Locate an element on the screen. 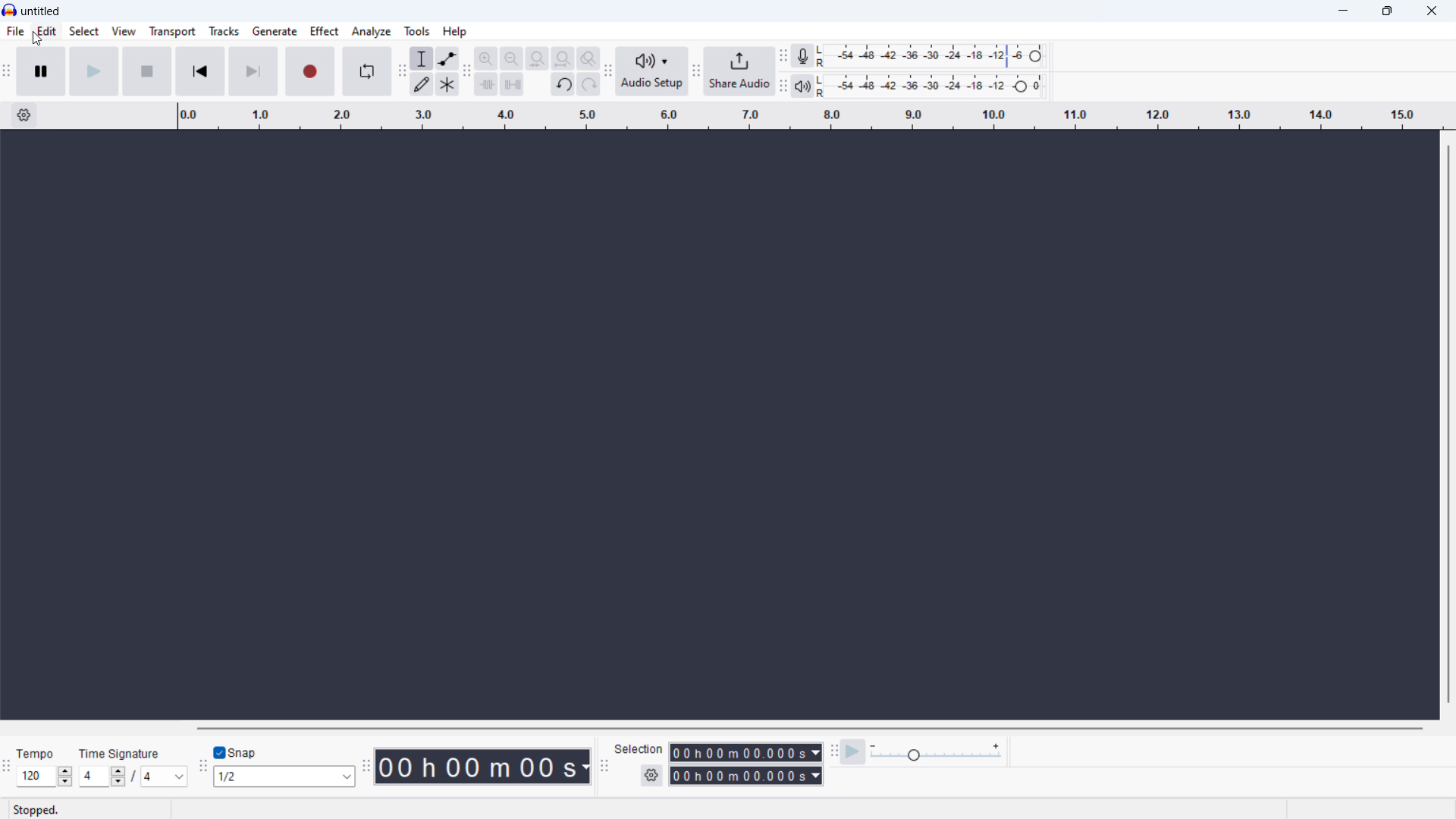  effect is located at coordinates (324, 30).